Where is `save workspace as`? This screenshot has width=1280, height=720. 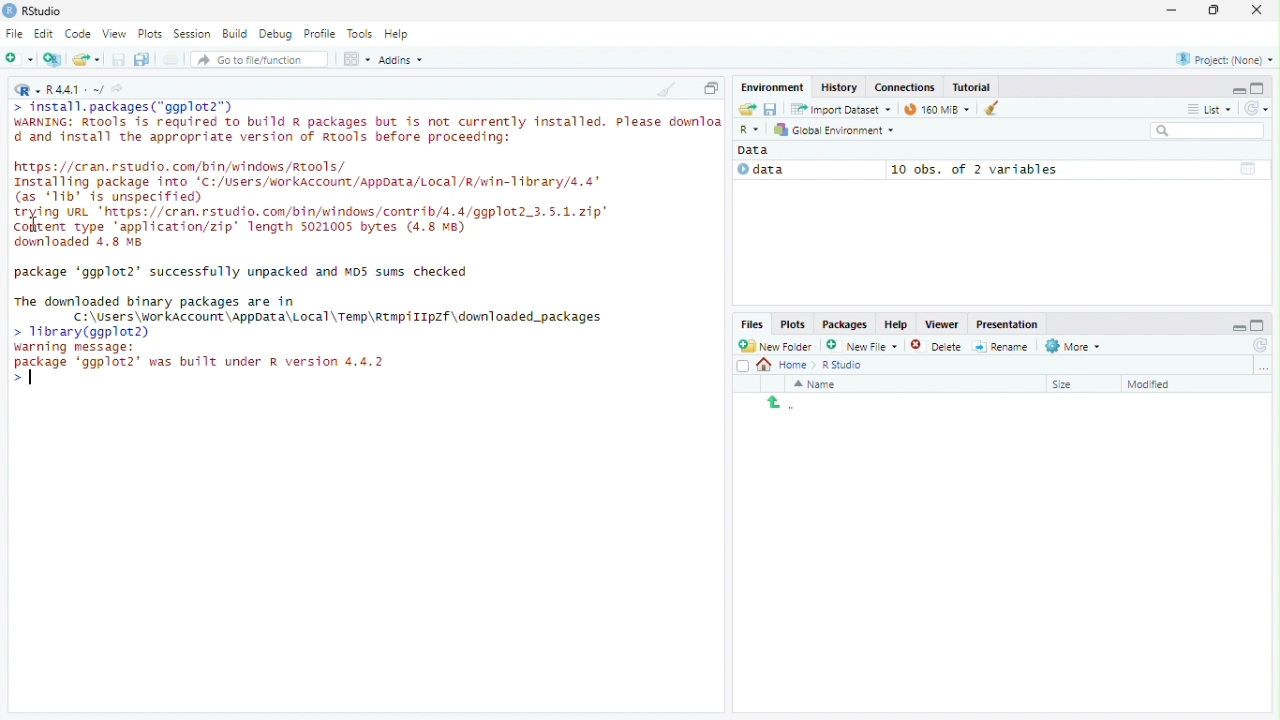
save workspace as is located at coordinates (773, 110).